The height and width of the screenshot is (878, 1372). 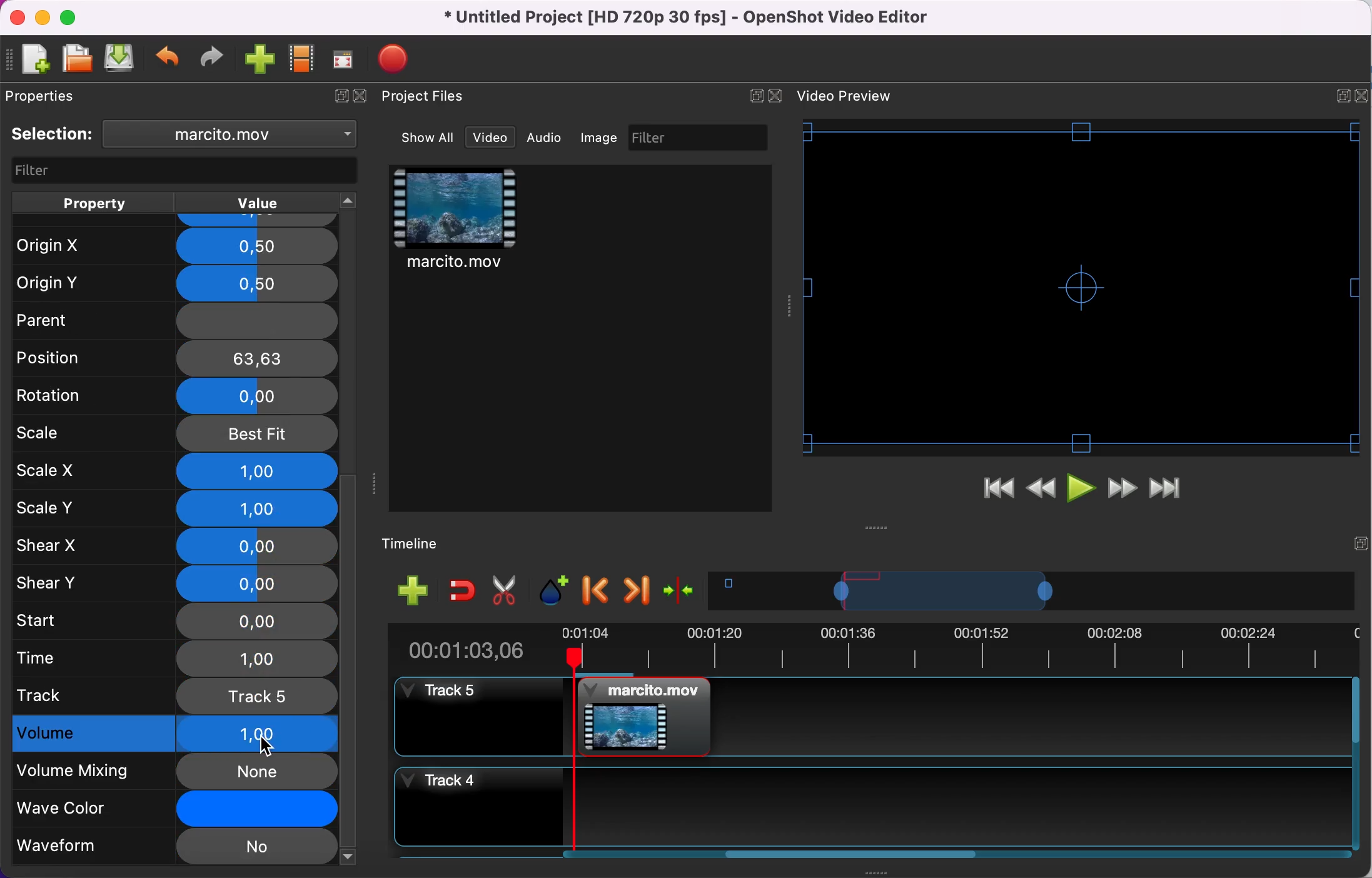 I want to click on show all, so click(x=429, y=138).